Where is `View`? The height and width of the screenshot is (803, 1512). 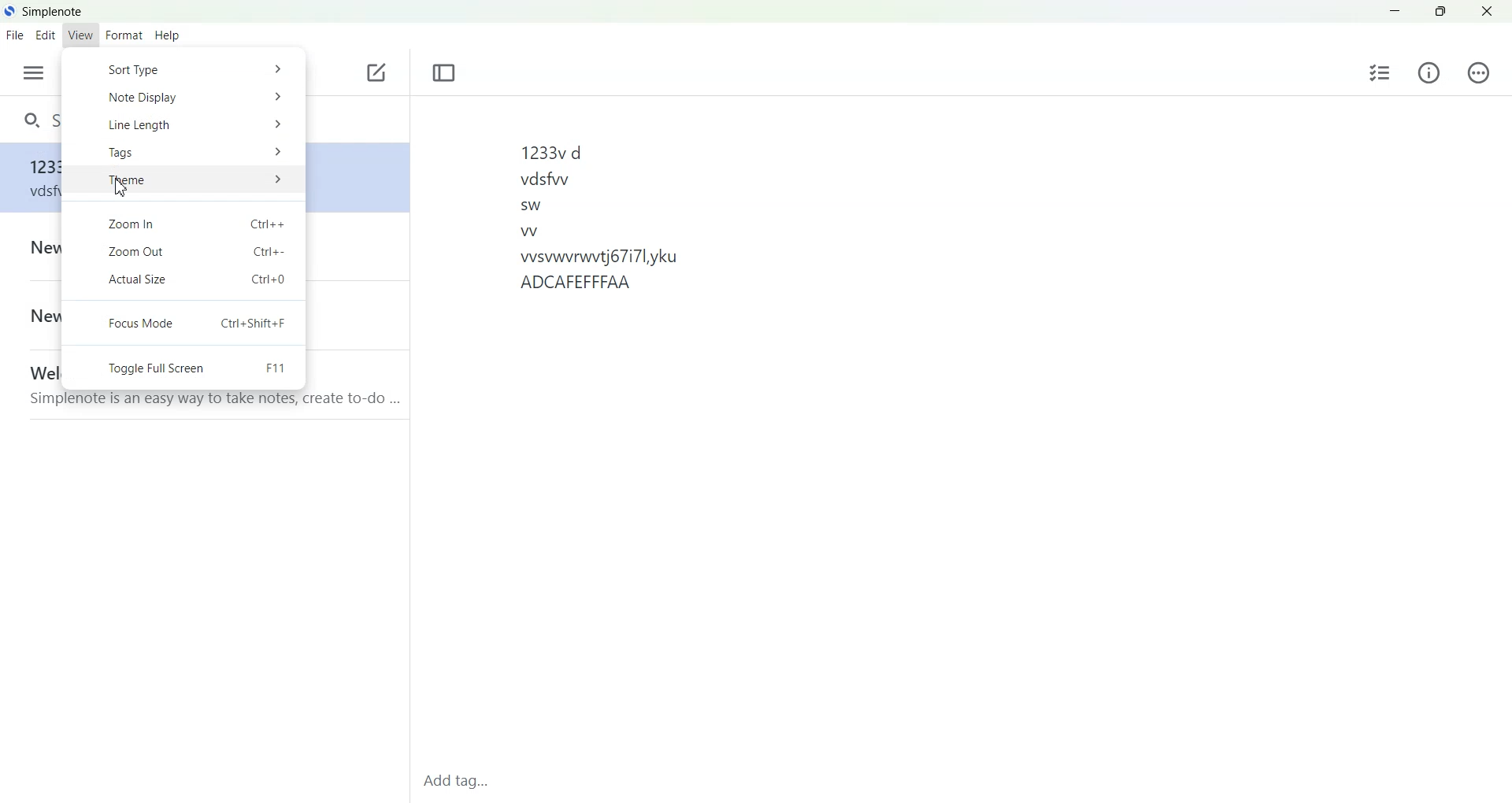 View is located at coordinates (80, 35).